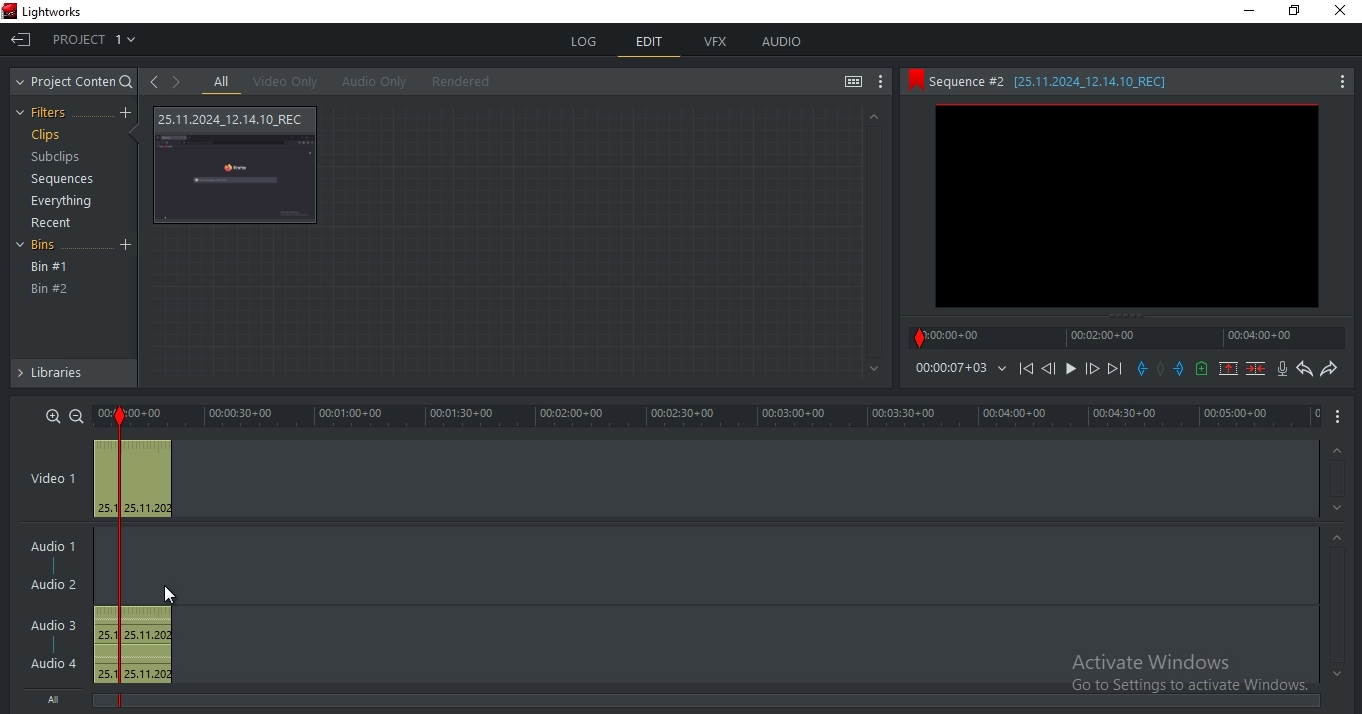  Describe the element at coordinates (1305, 369) in the screenshot. I see `undo` at that location.